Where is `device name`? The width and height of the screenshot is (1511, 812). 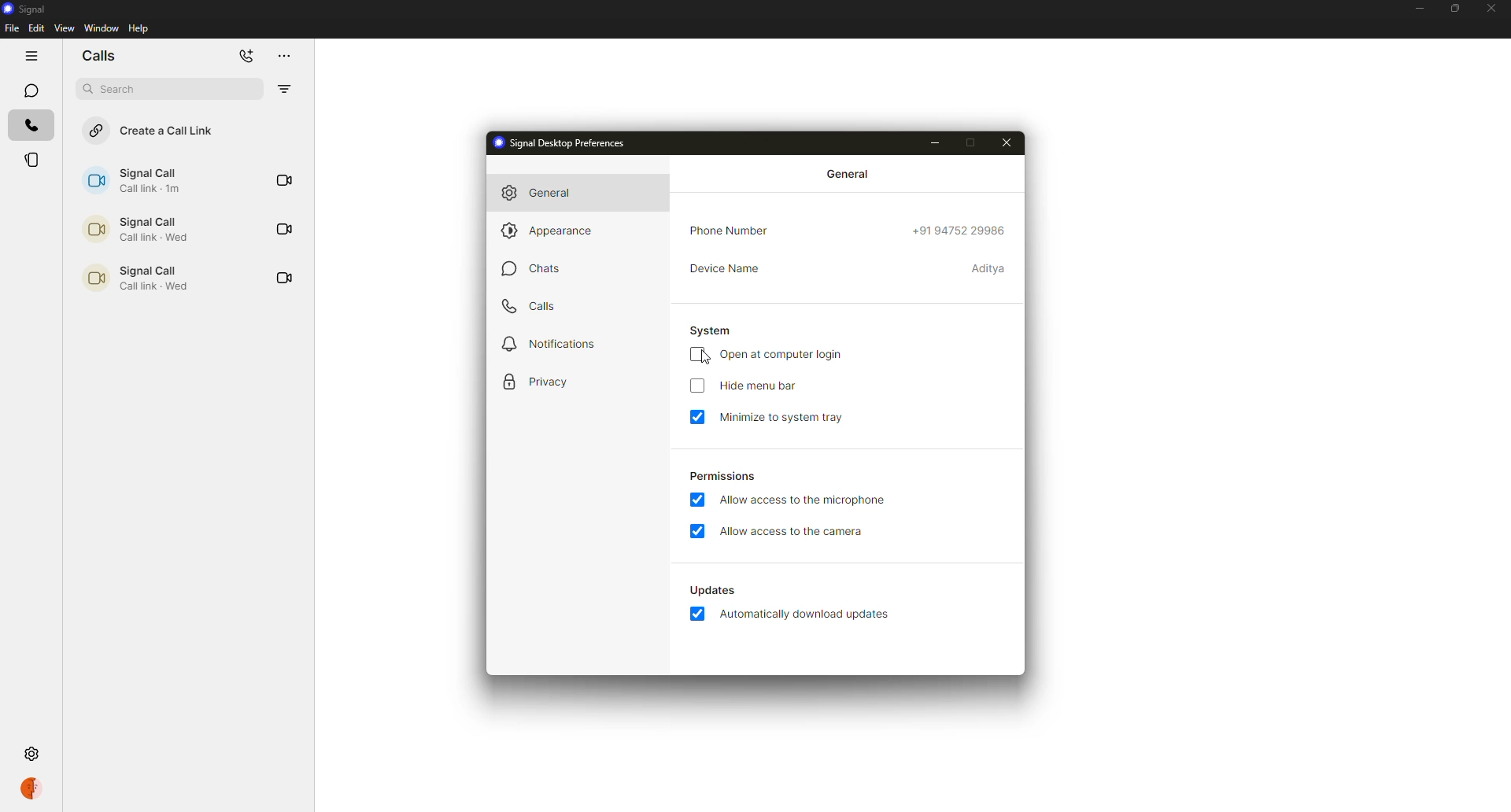
device name is located at coordinates (990, 271).